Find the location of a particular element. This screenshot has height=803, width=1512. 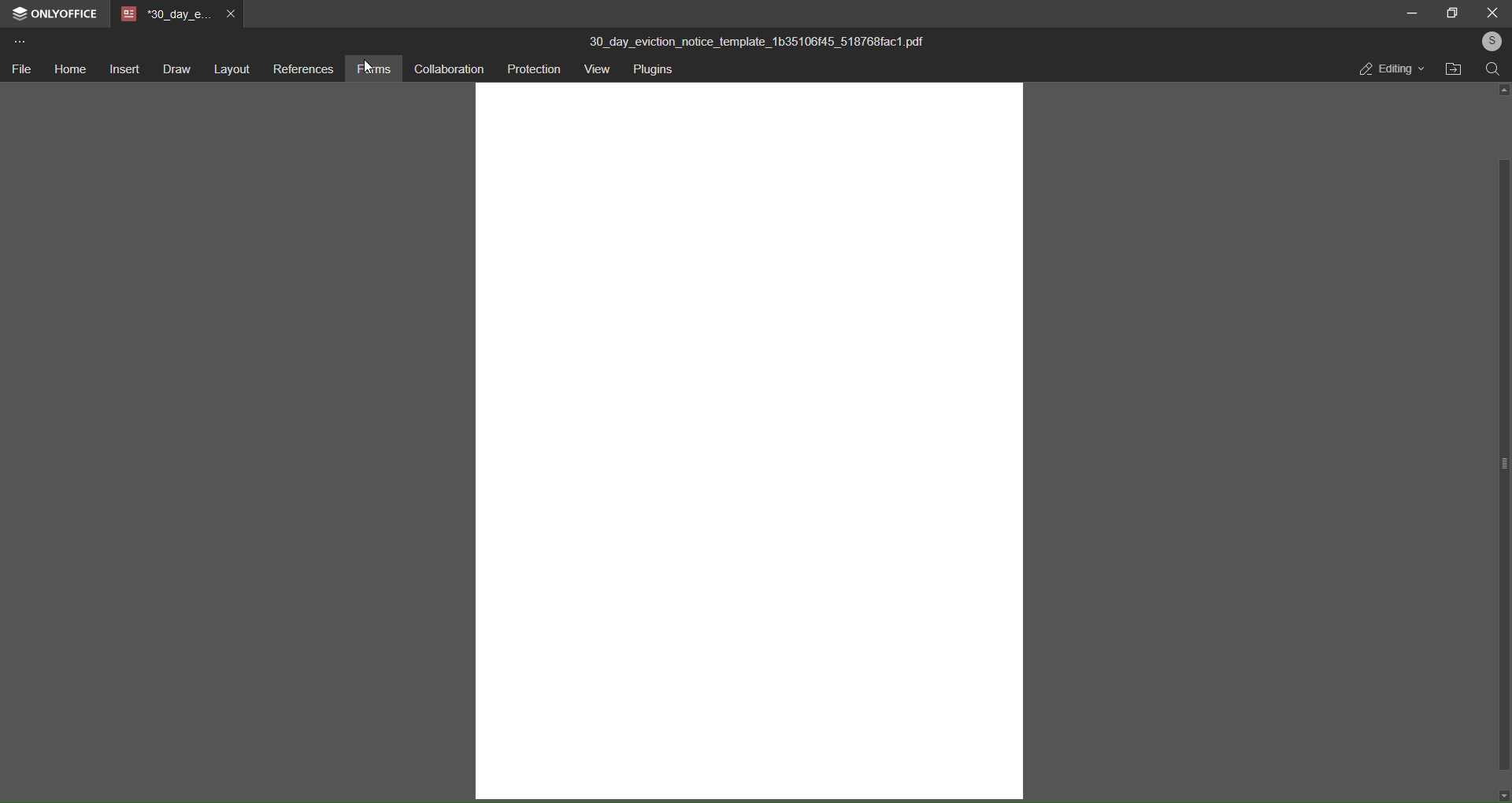

layout is located at coordinates (230, 68).